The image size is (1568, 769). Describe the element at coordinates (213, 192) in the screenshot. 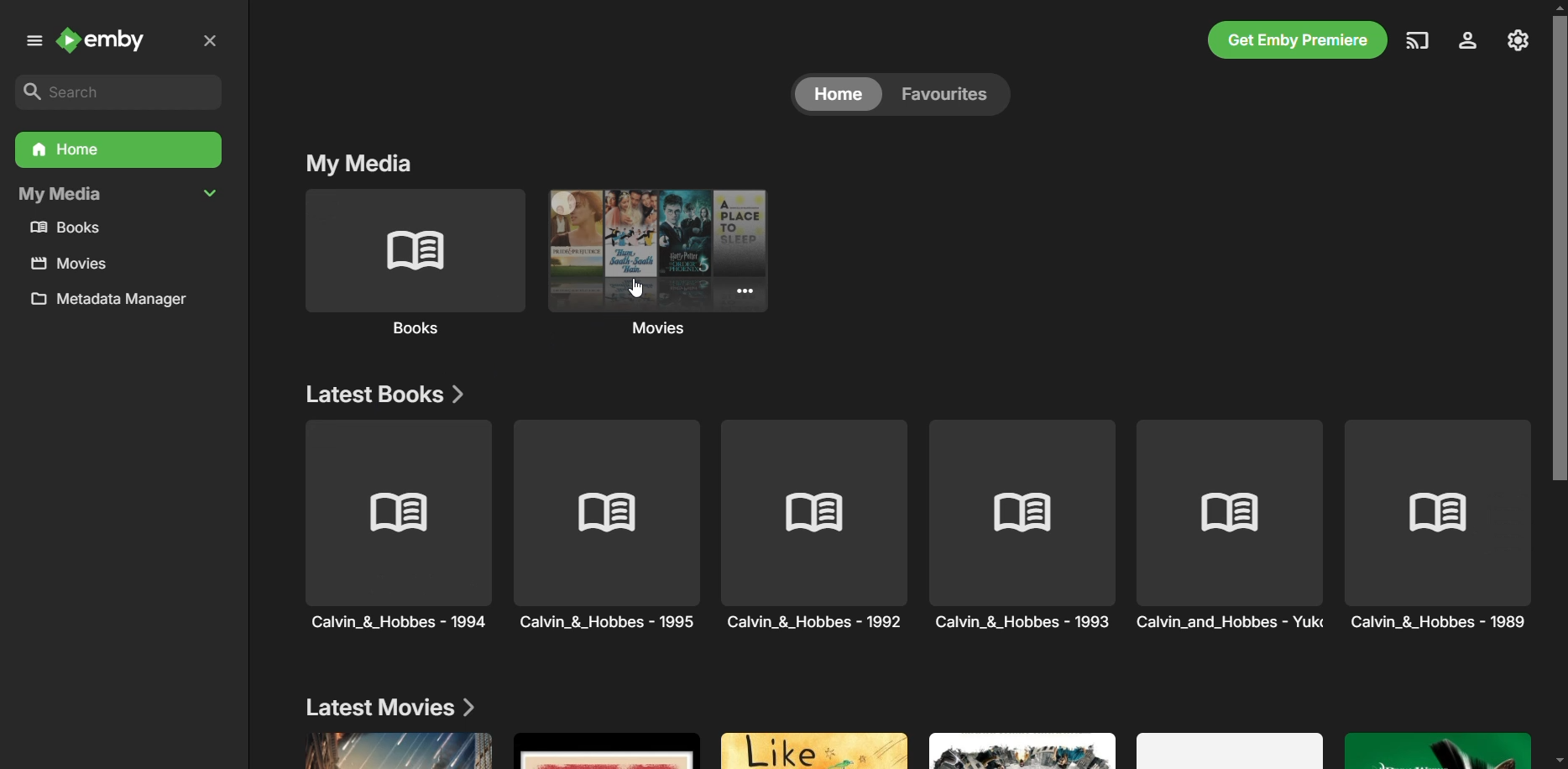

I see `Expand/Collapse` at that location.